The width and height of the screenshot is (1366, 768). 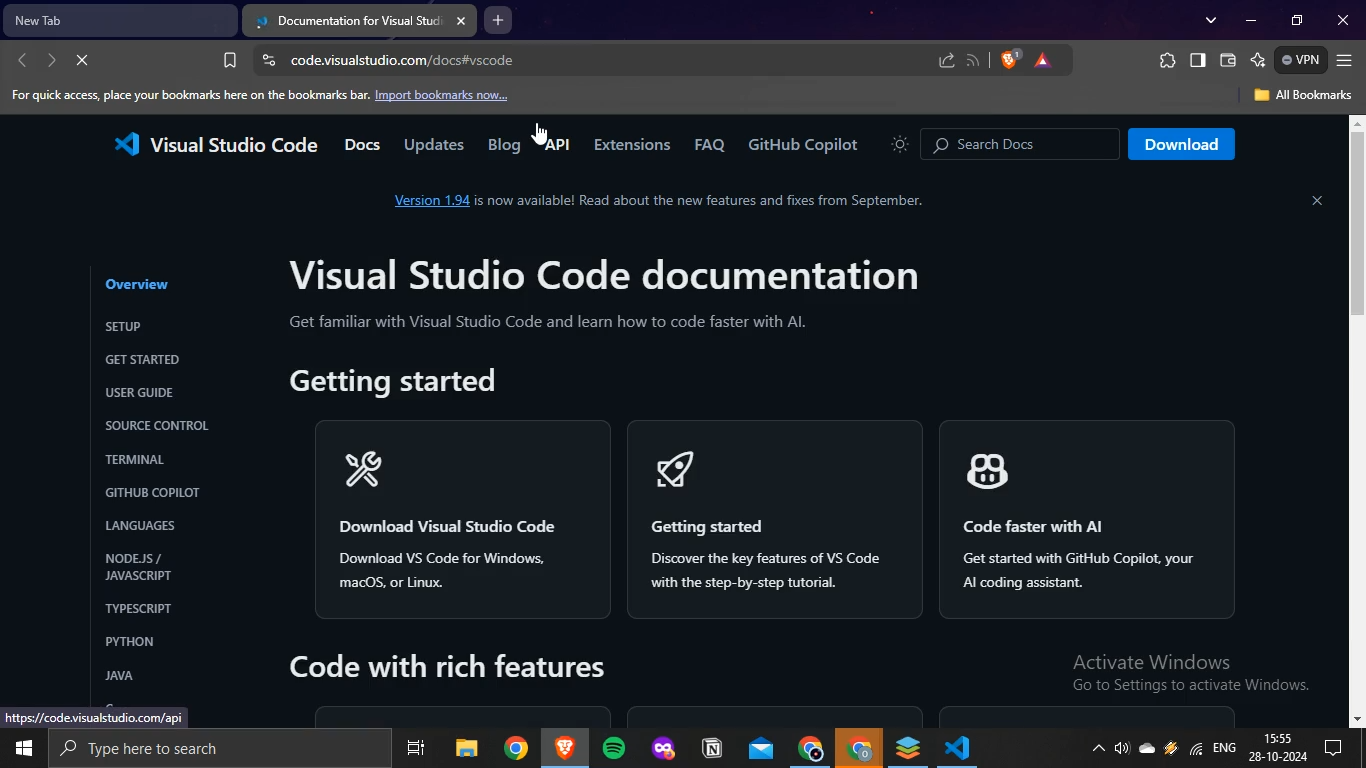 What do you see at coordinates (213, 749) in the screenshot?
I see `search bar` at bounding box center [213, 749].